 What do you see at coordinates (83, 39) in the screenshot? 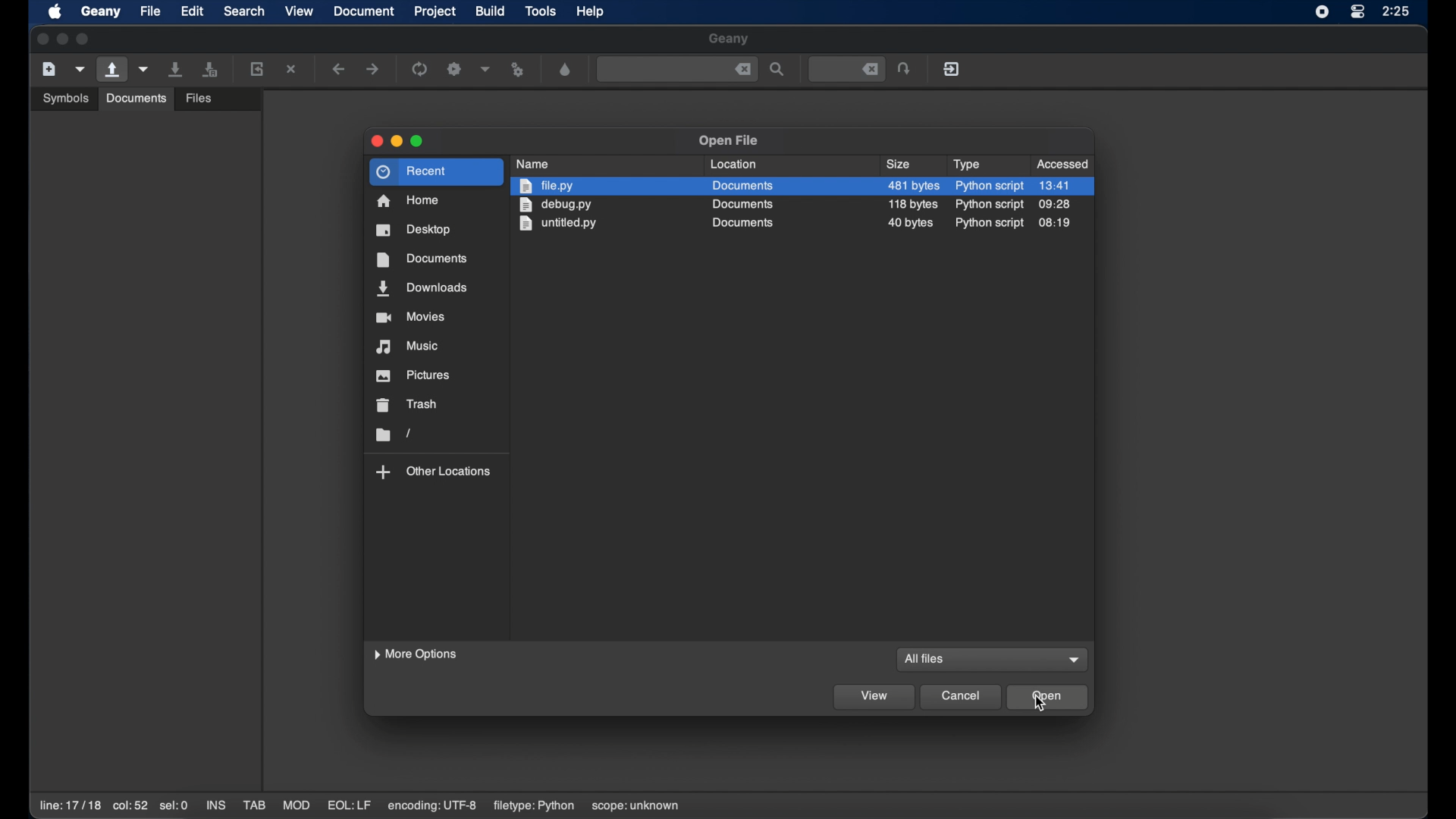
I see `maximize` at bounding box center [83, 39].